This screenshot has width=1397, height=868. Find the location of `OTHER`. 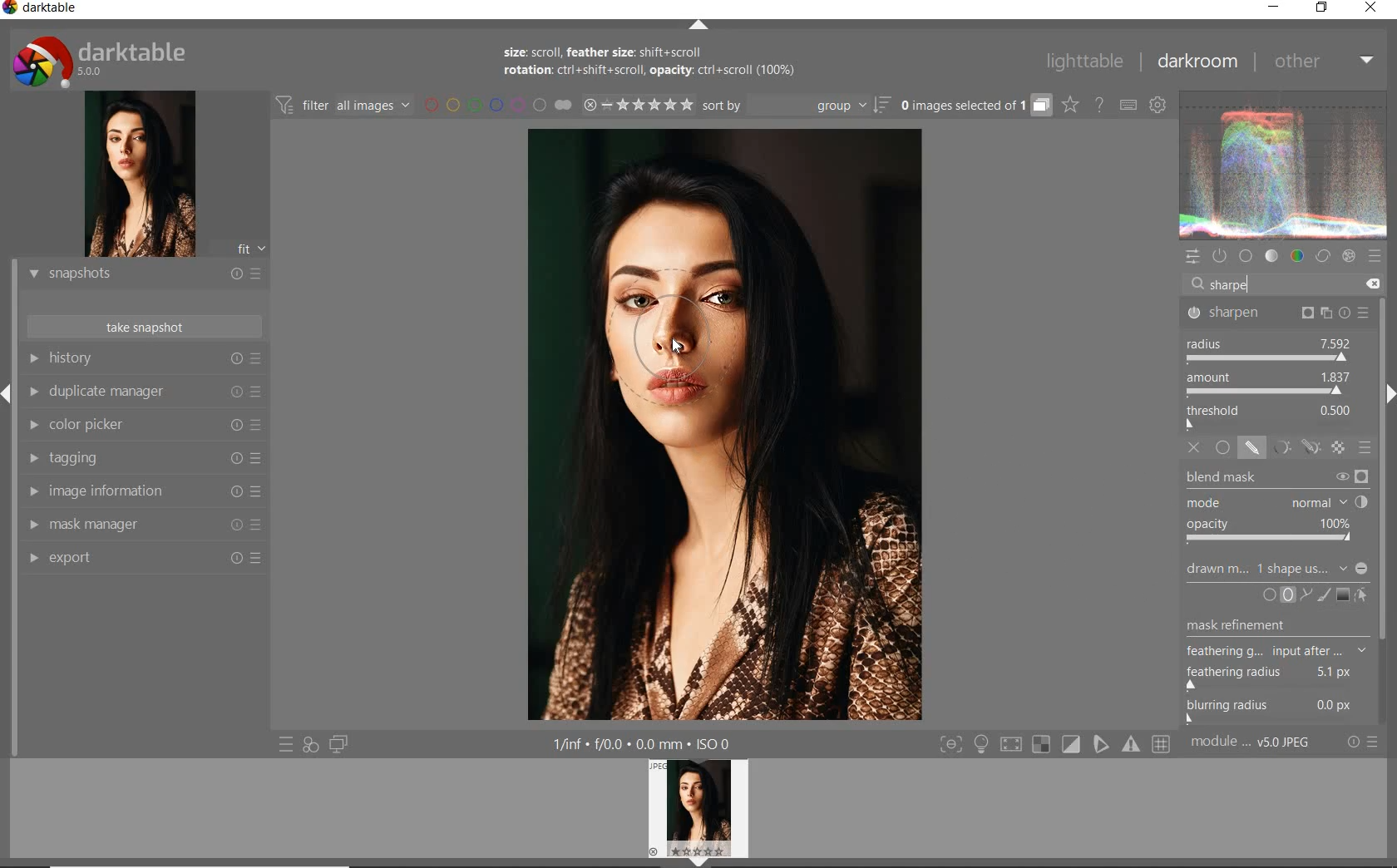

OTHER is located at coordinates (1322, 62).